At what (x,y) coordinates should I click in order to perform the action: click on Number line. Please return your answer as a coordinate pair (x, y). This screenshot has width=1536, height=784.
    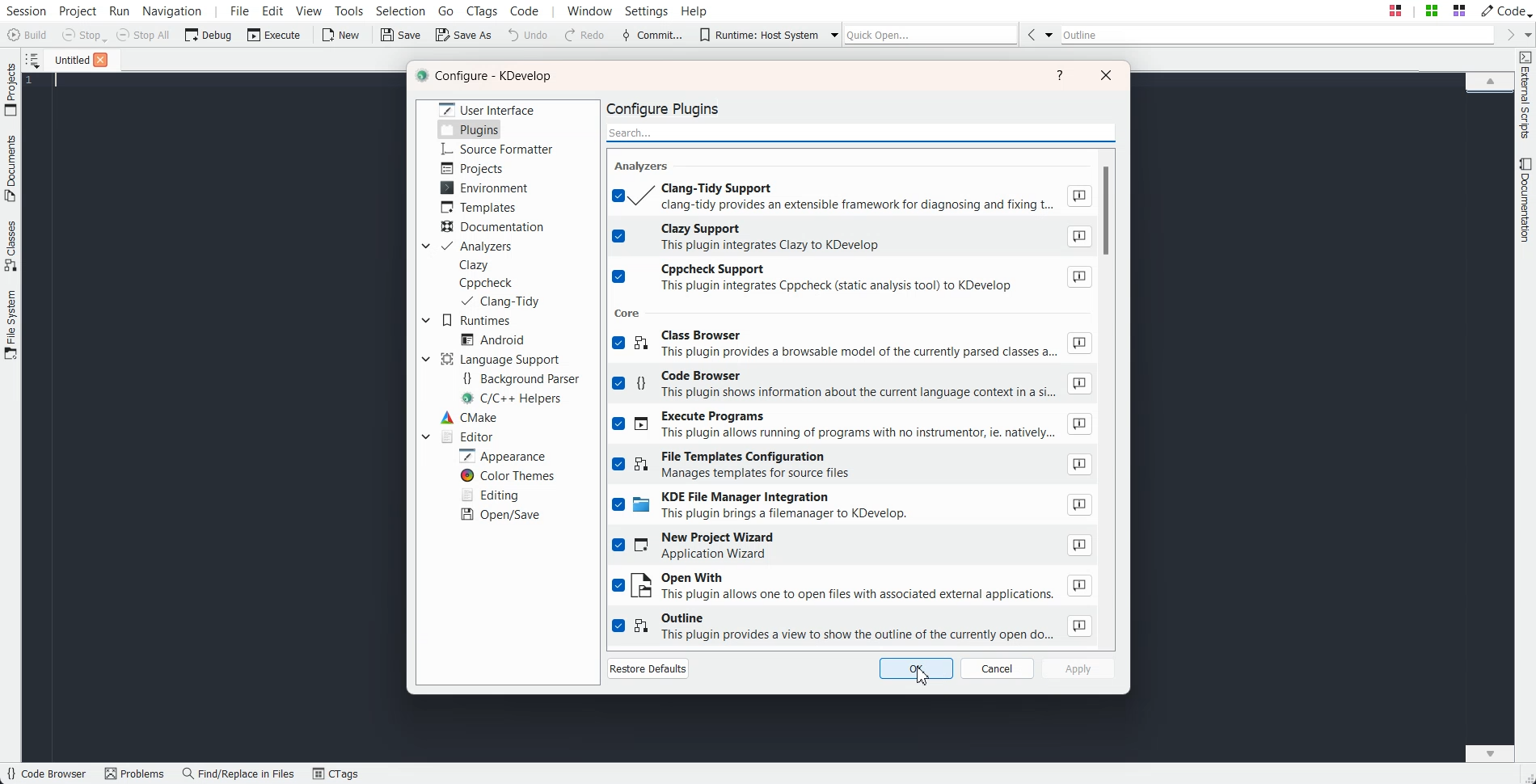
    Looking at the image, I should click on (34, 81).